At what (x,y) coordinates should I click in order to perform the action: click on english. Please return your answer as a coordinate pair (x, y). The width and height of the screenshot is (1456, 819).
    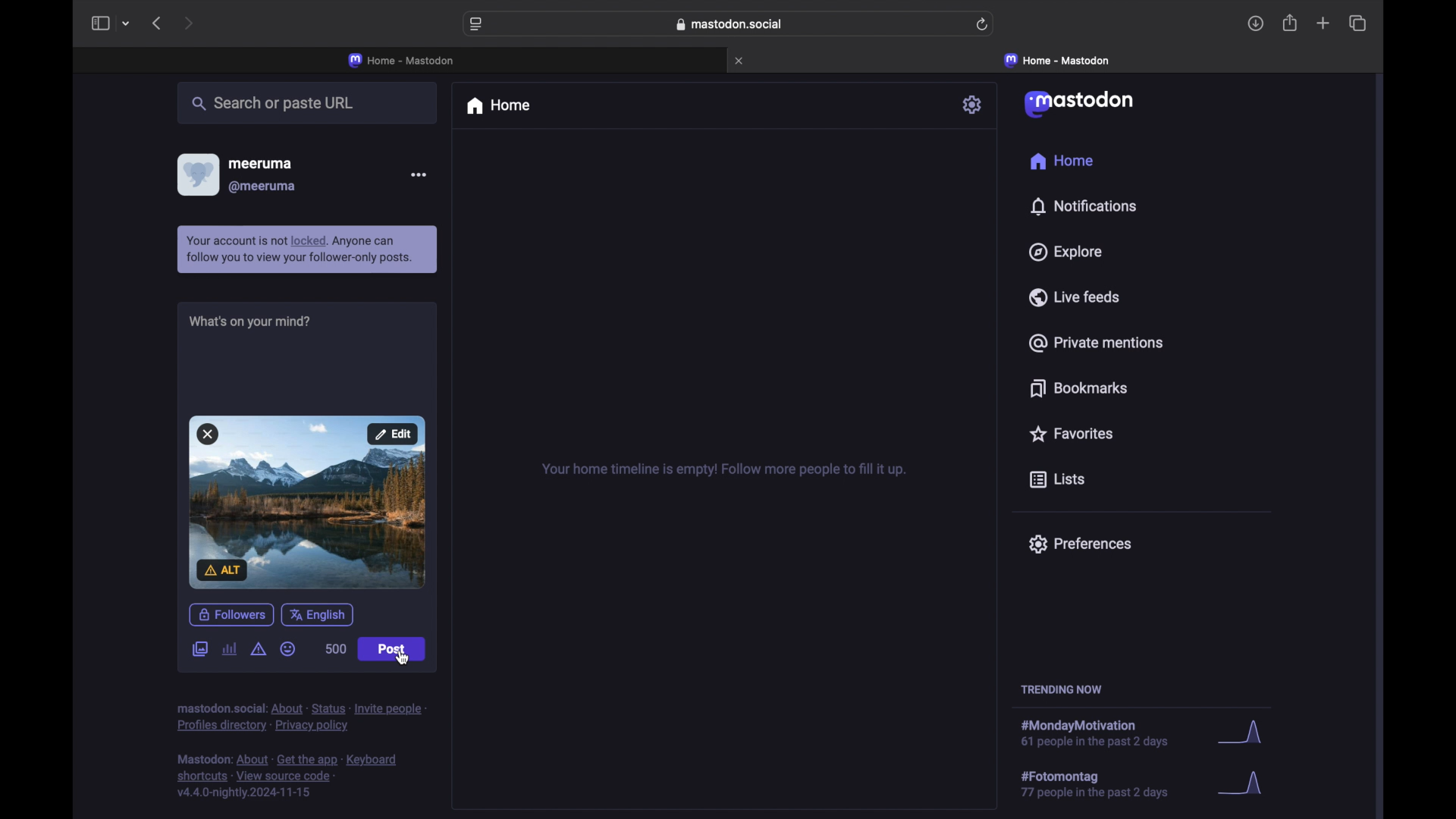
    Looking at the image, I should click on (319, 613).